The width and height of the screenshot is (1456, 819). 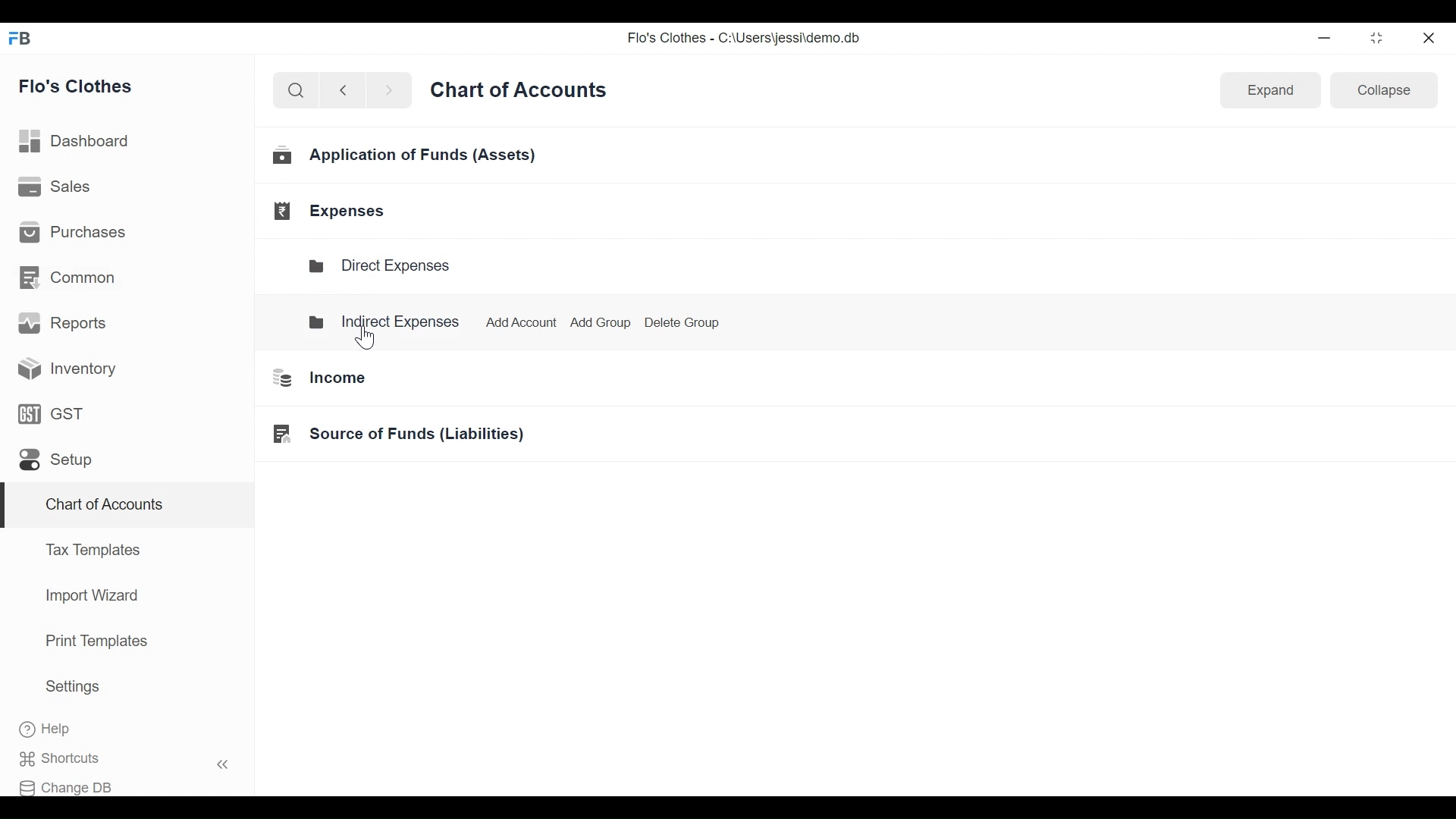 What do you see at coordinates (522, 95) in the screenshot?
I see `Chart of Accounts` at bounding box center [522, 95].